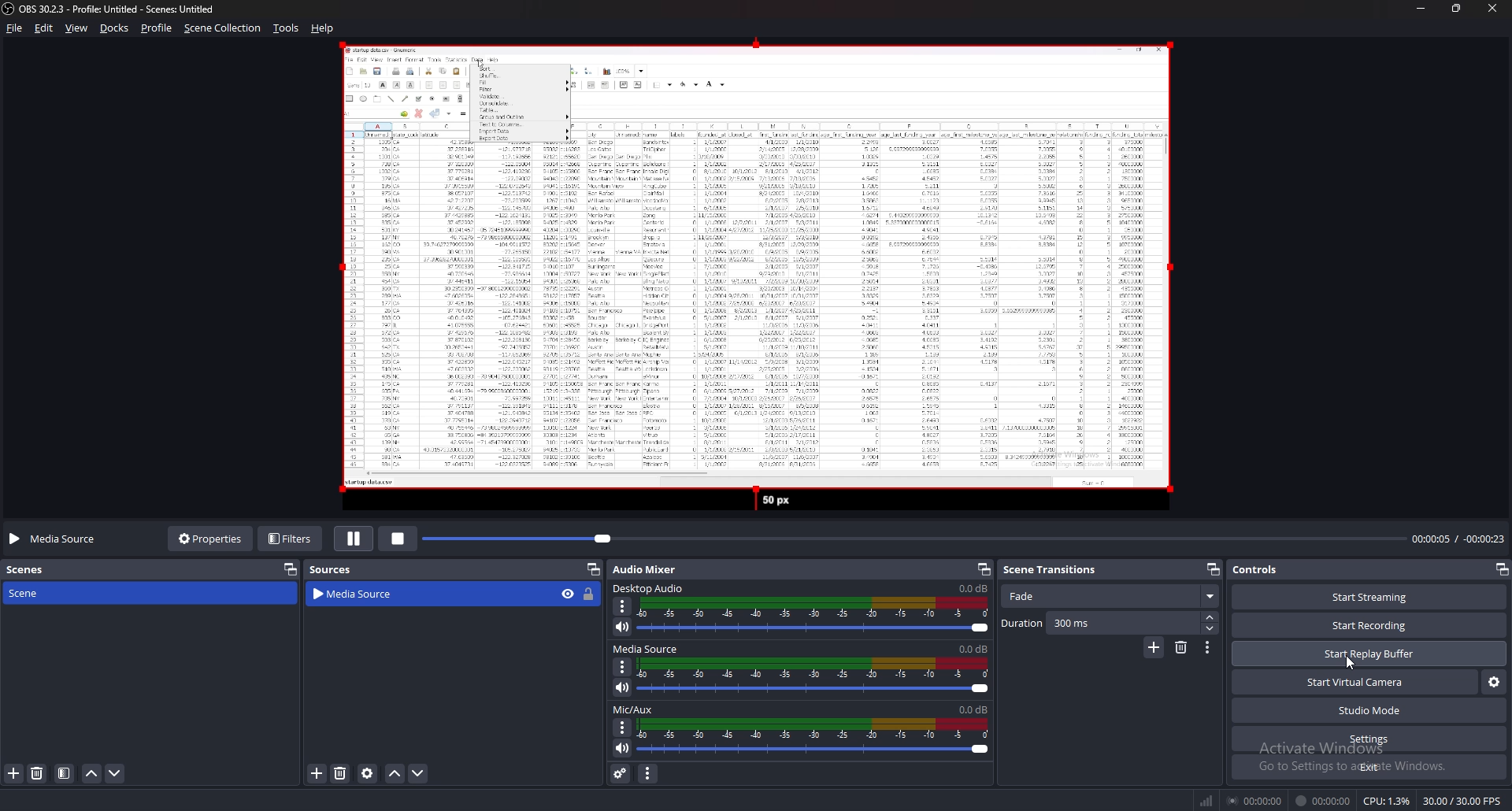 The height and width of the screenshot is (811, 1512). Describe the element at coordinates (593, 569) in the screenshot. I see `pop out` at that location.